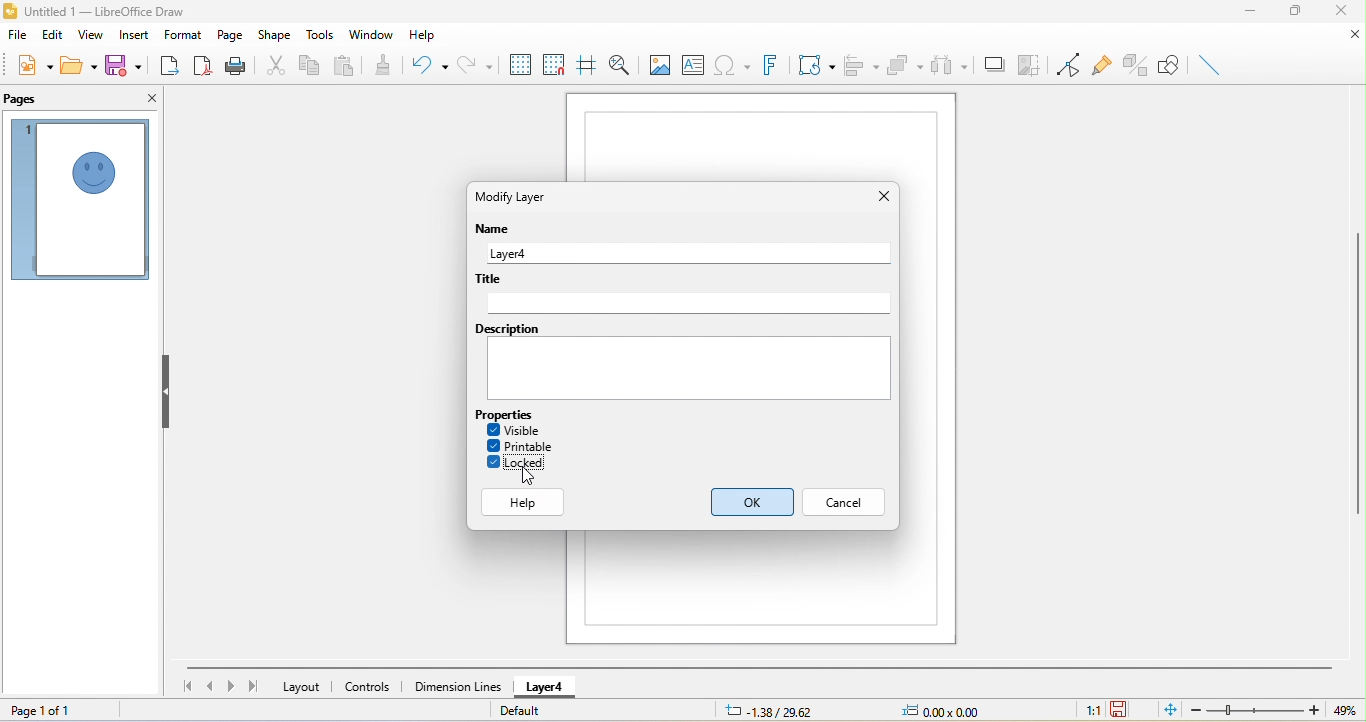 The image size is (1366, 722). Describe the element at coordinates (1344, 710) in the screenshot. I see `49%` at that location.